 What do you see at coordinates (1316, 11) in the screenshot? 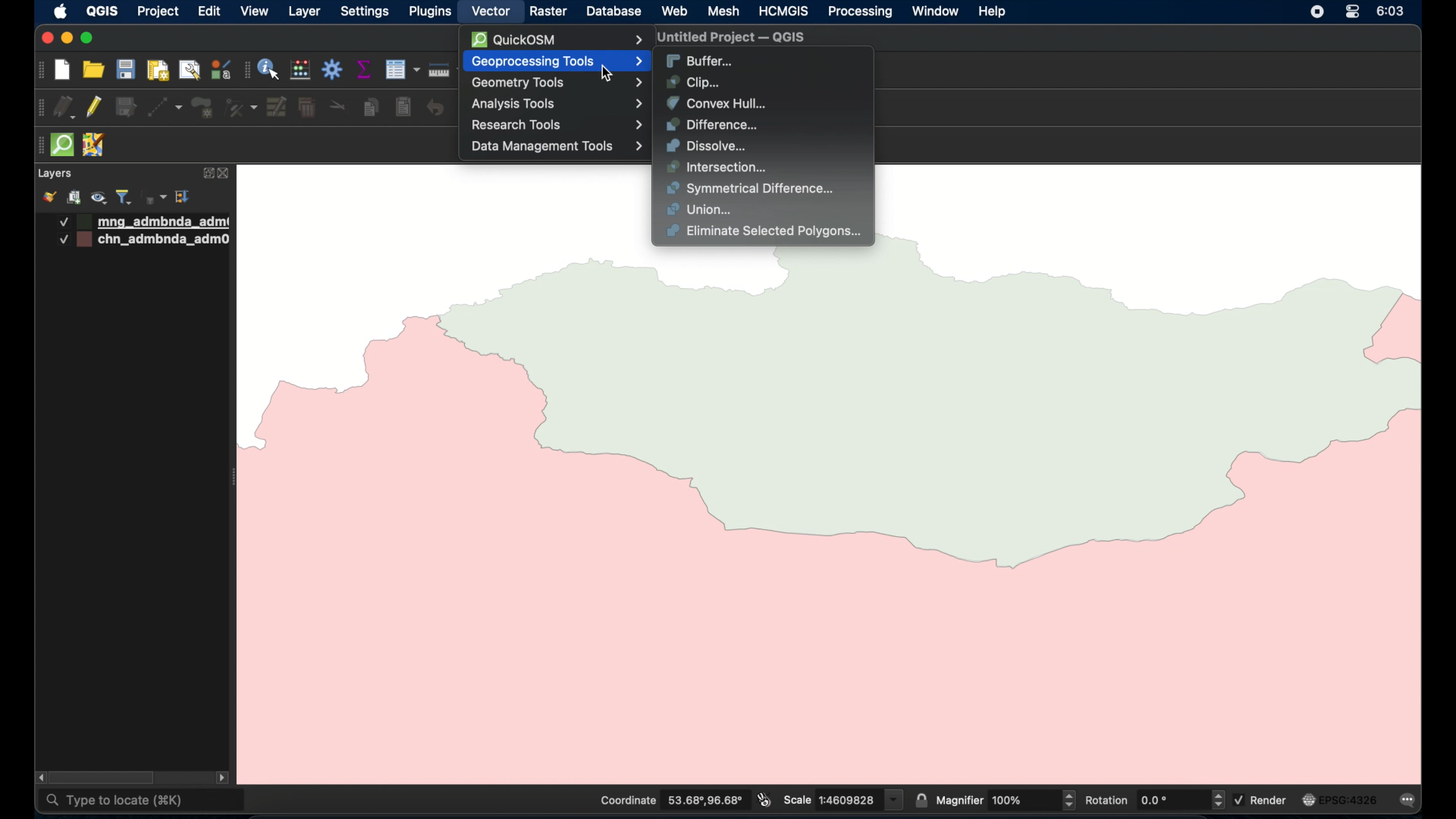
I see `screen recorder icon` at bounding box center [1316, 11].